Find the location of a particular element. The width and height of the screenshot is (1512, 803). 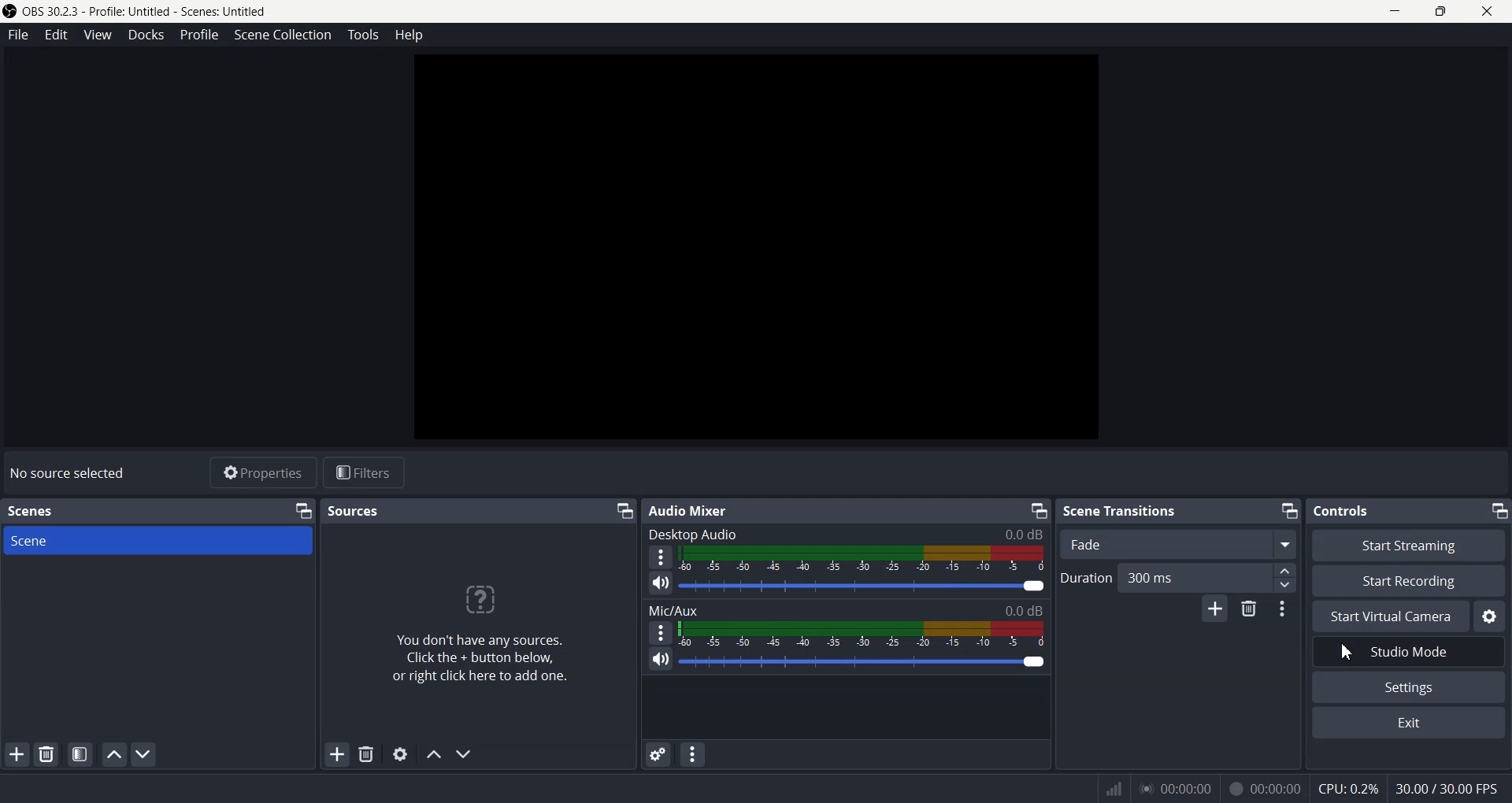

Scene Transitions is located at coordinates (1128, 511).